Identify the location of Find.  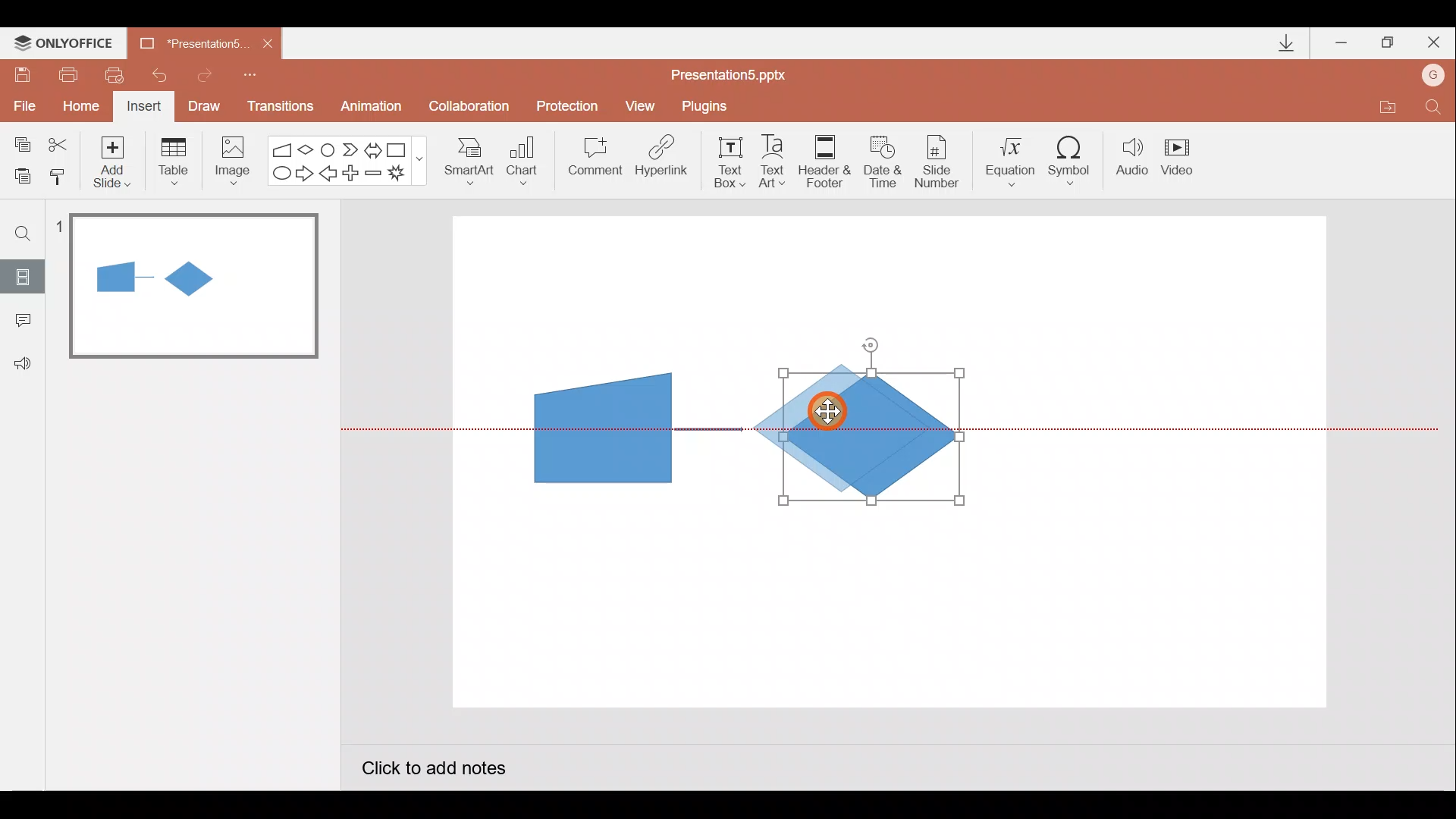
(24, 233).